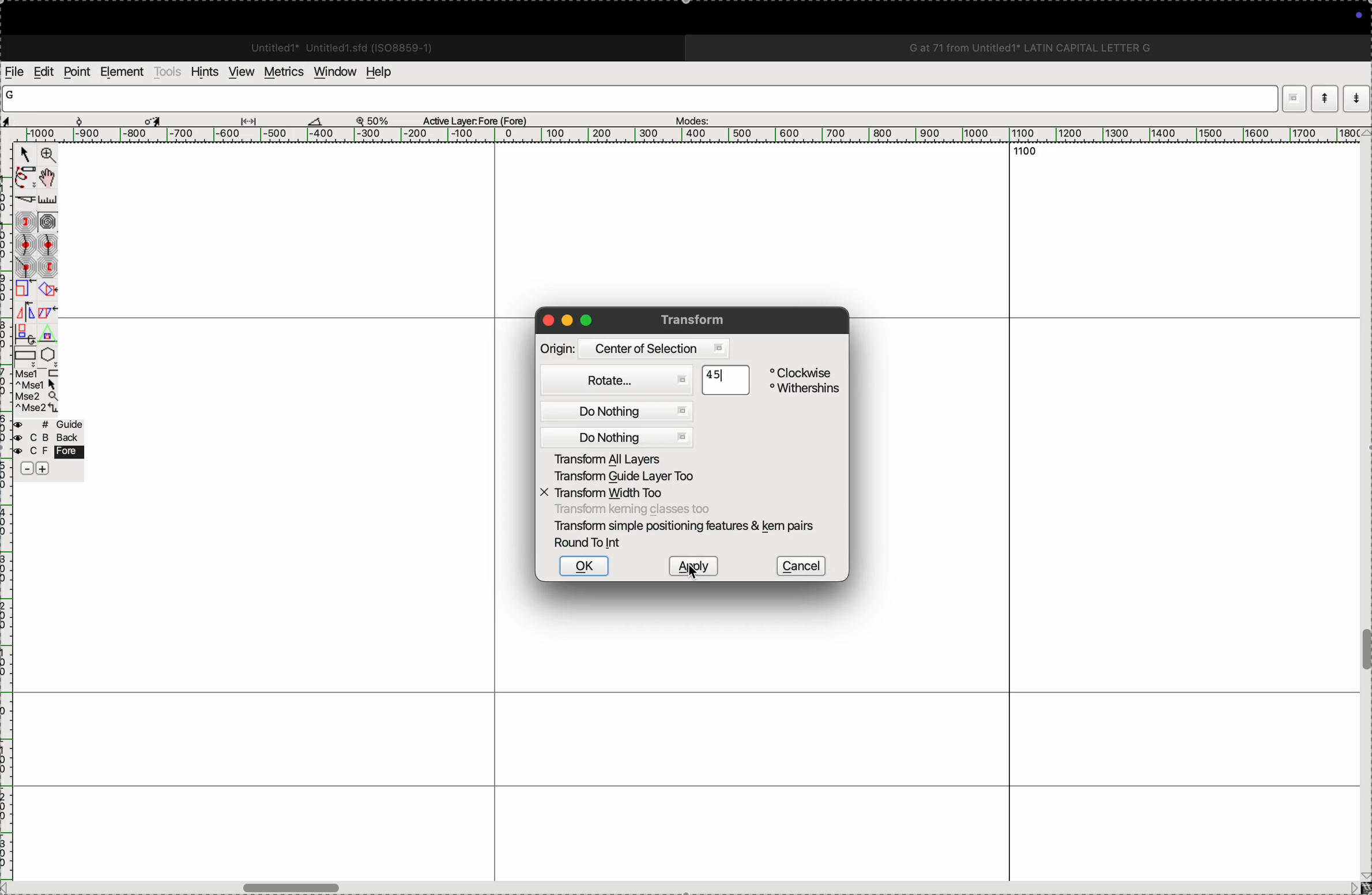 This screenshot has width=1372, height=895. What do you see at coordinates (336, 73) in the screenshot?
I see `window` at bounding box center [336, 73].